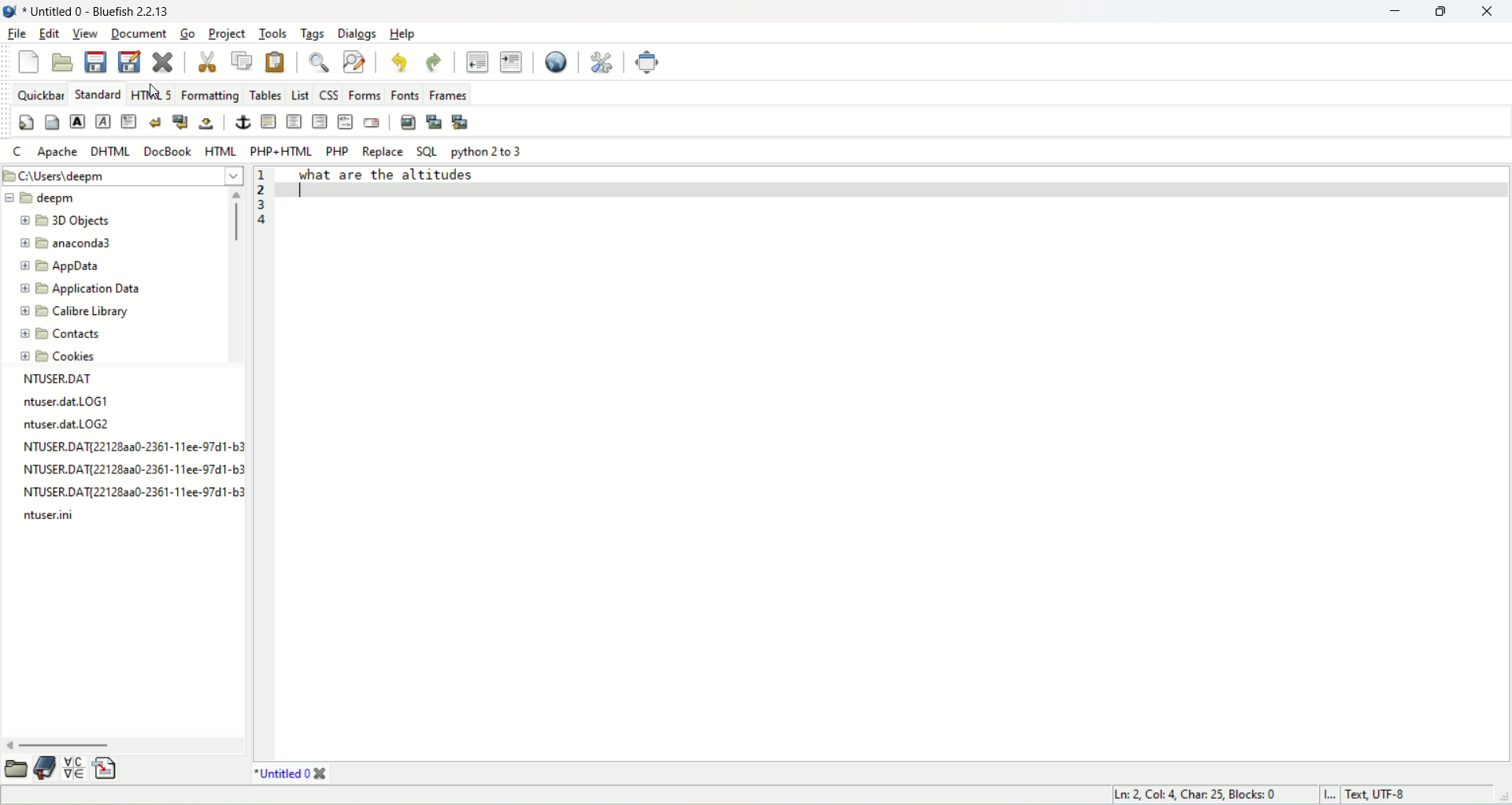 This screenshot has width=1512, height=805. Describe the element at coordinates (128, 121) in the screenshot. I see `paragraph` at that location.